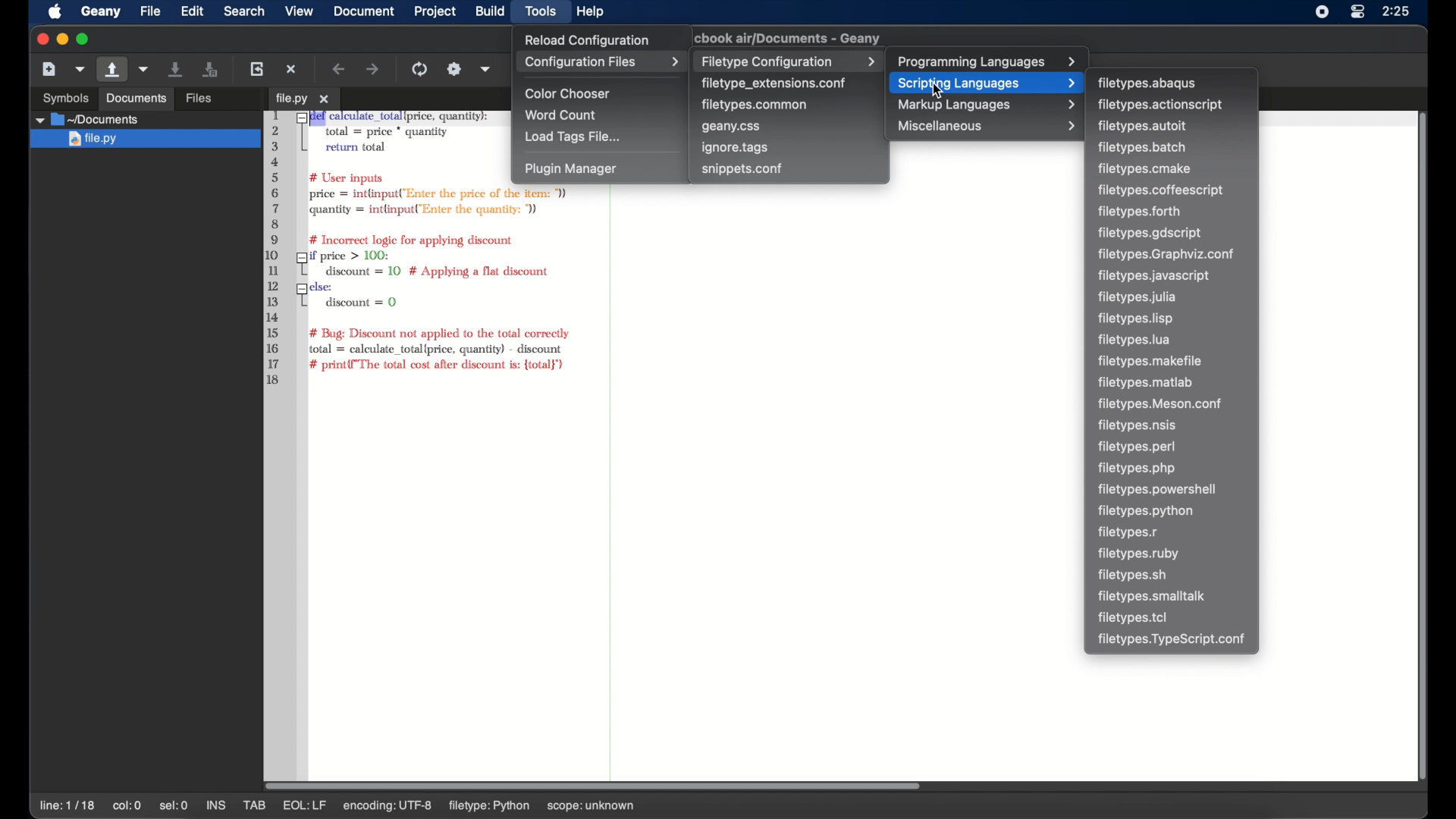  Describe the element at coordinates (570, 169) in the screenshot. I see `plugin manager` at that location.